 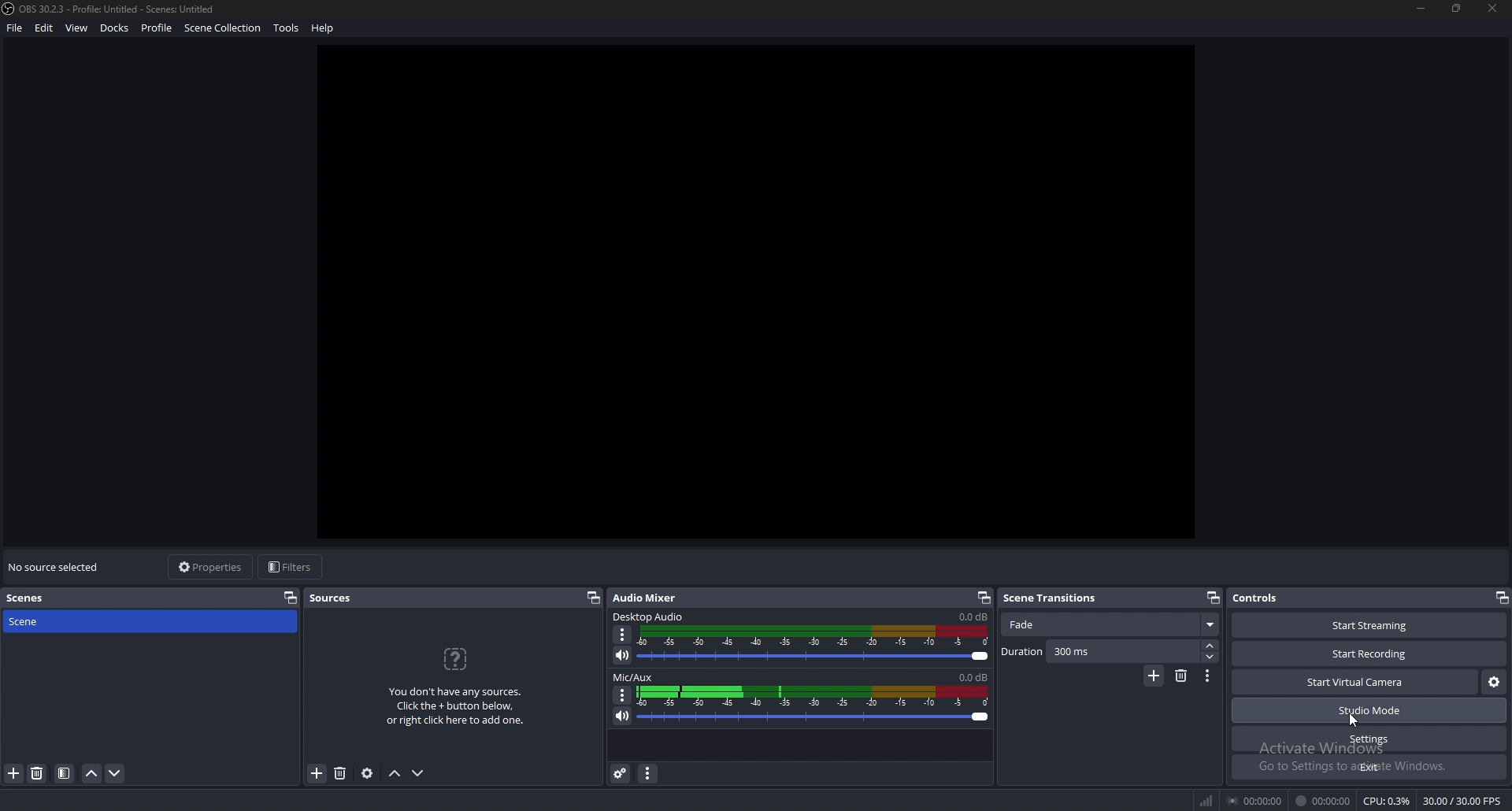 What do you see at coordinates (29, 598) in the screenshot?
I see `scenes` at bounding box center [29, 598].